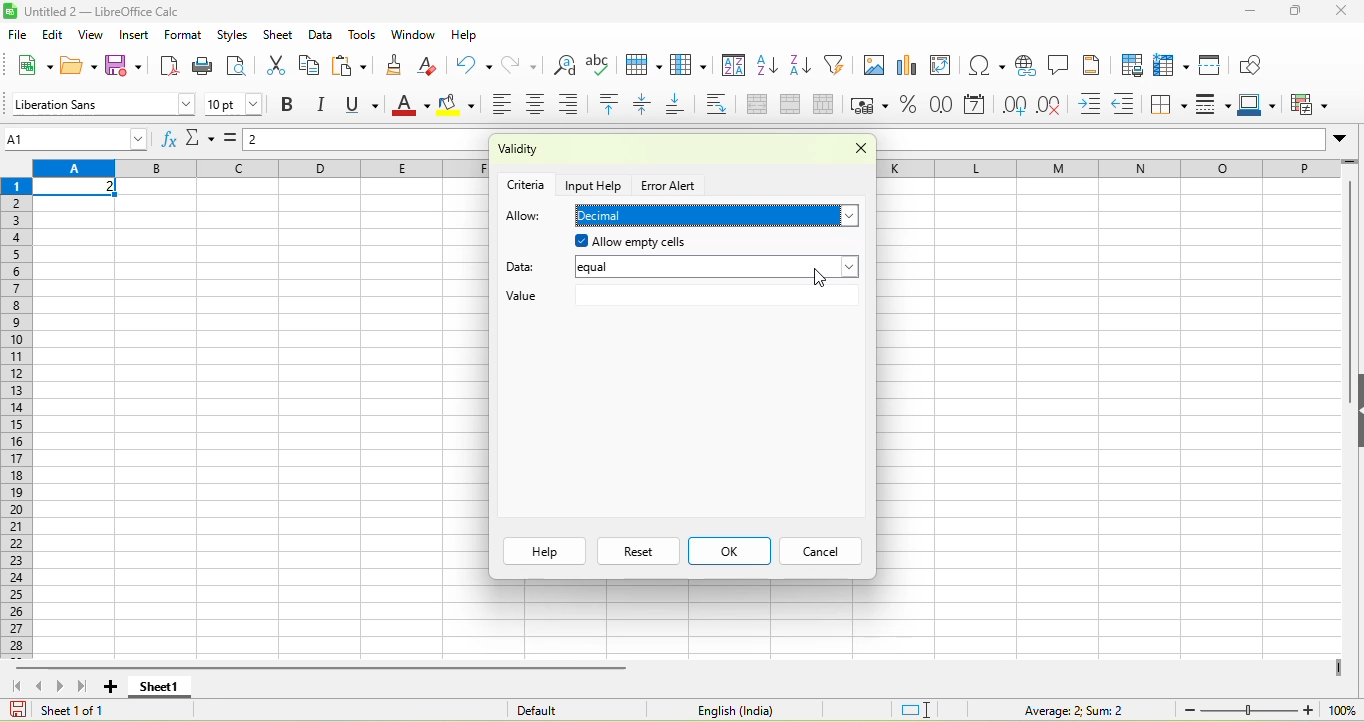 Image resolution: width=1364 pixels, height=722 pixels. Describe the element at coordinates (352, 66) in the screenshot. I see `paste` at that location.